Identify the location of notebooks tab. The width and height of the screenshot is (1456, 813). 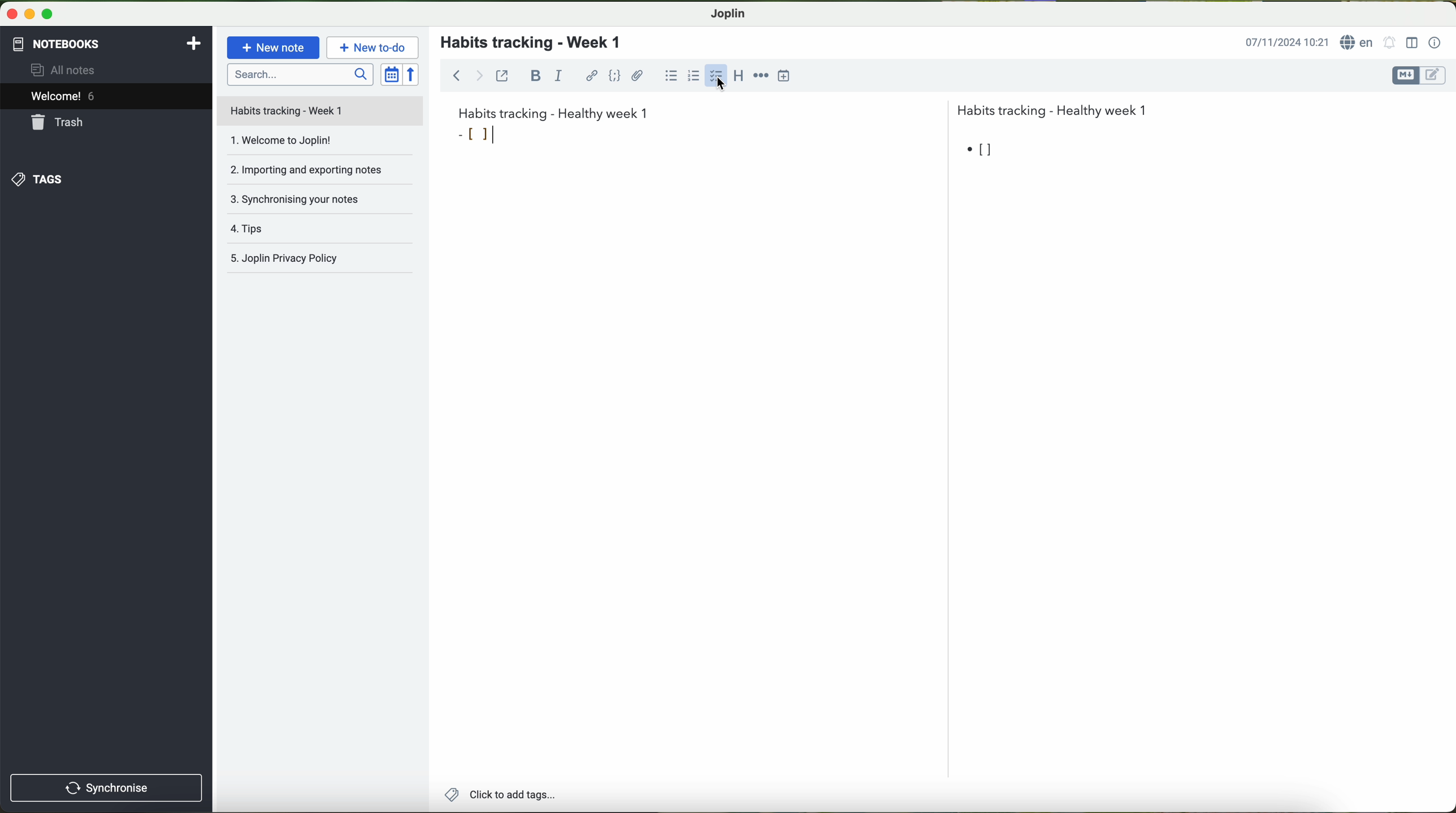
(108, 44).